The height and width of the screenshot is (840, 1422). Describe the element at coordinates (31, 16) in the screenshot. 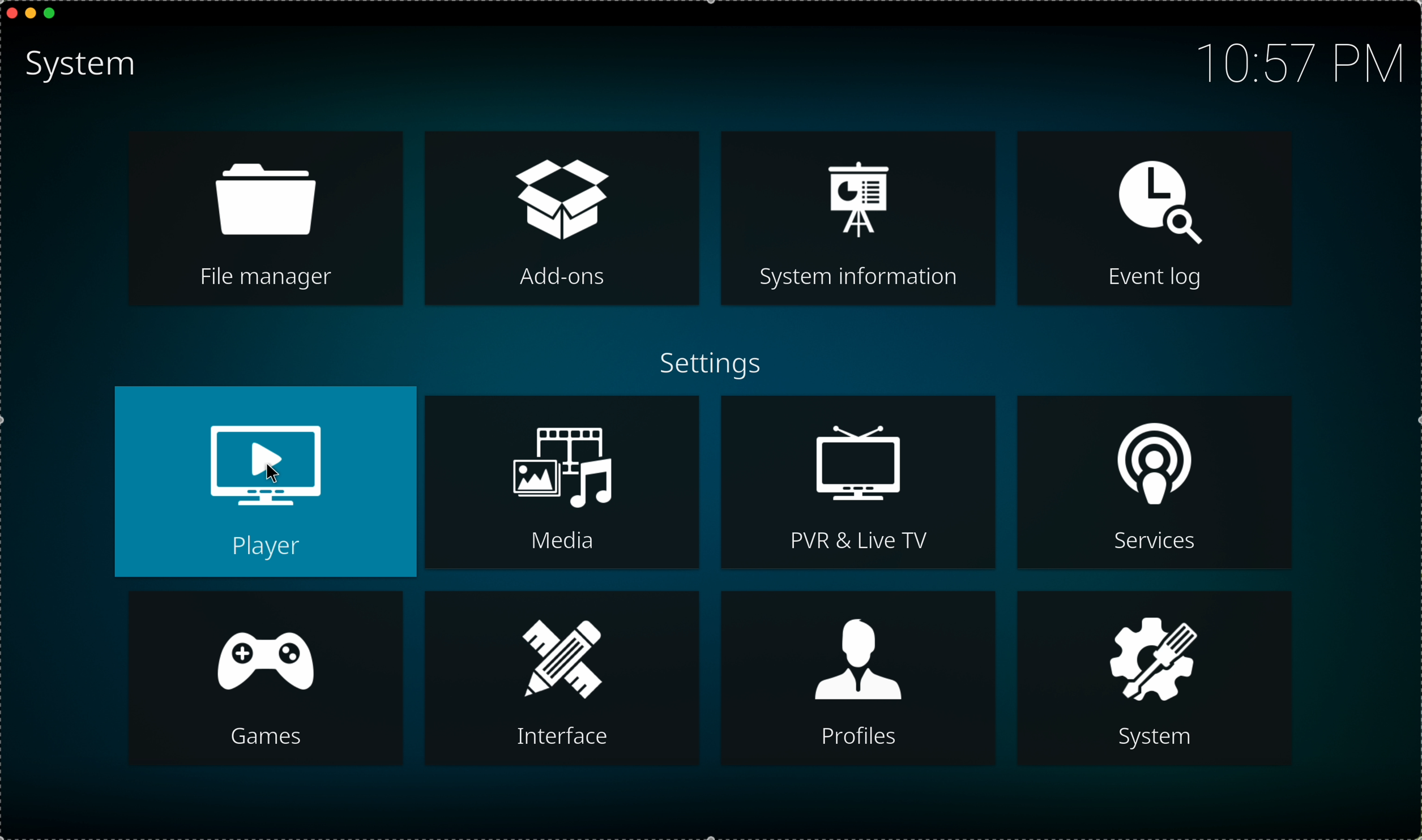

I see `minimize` at that location.